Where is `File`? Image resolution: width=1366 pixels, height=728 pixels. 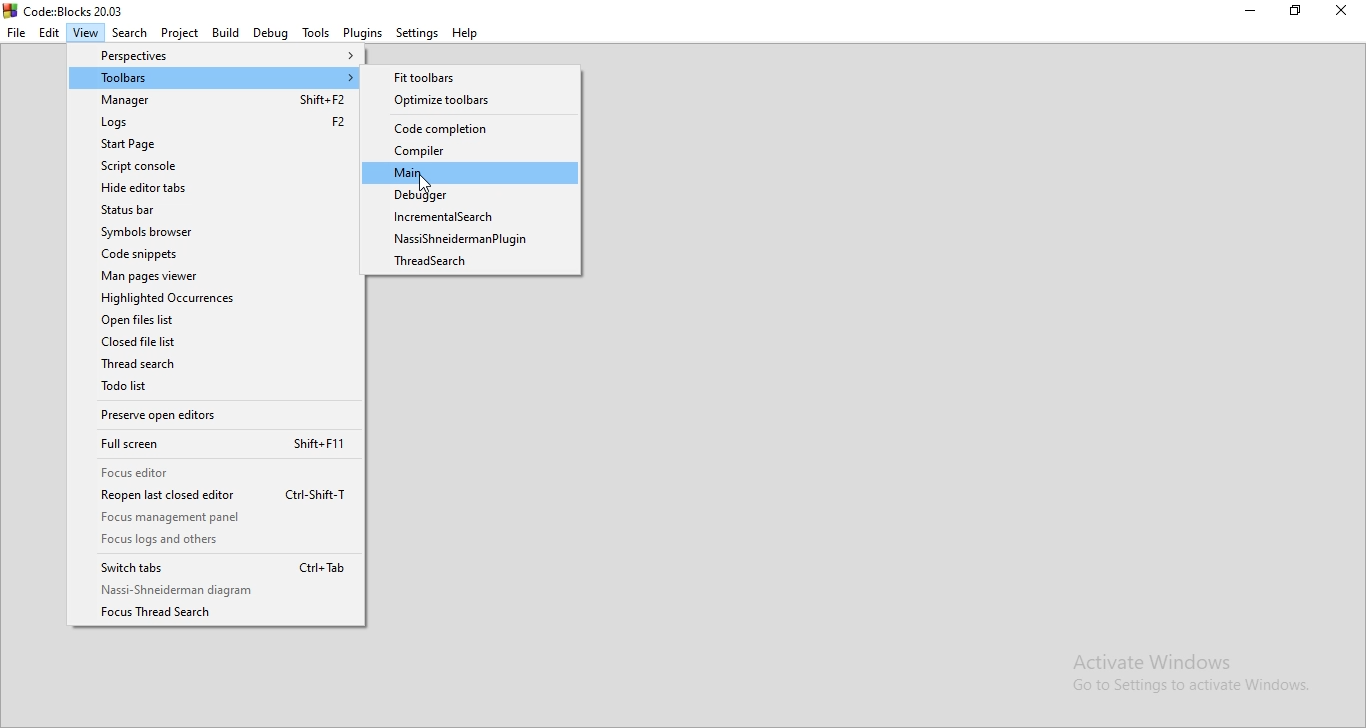
File is located at coordinates (16, 34).